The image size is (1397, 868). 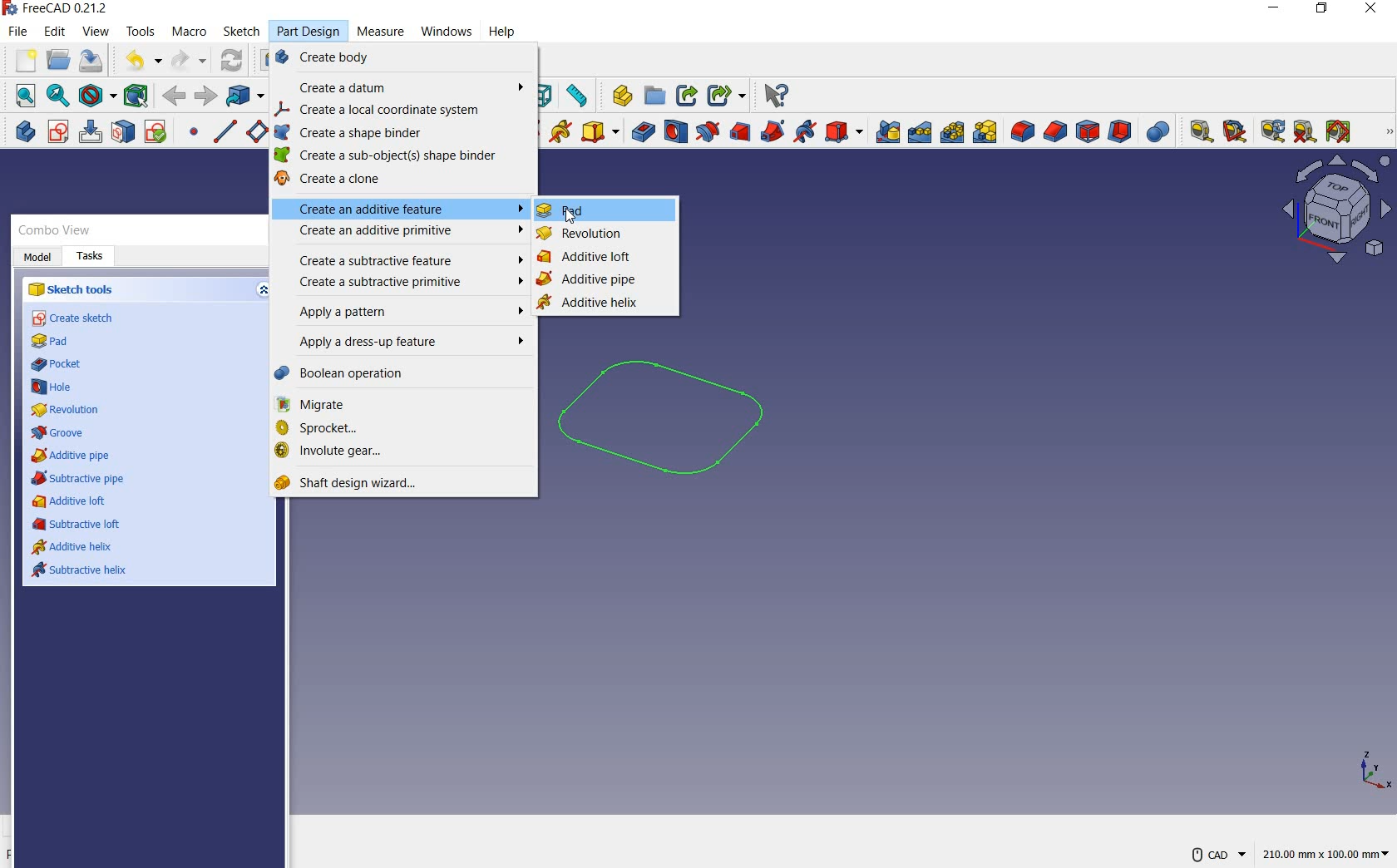 I want to click on measure angular, so click(x=1236, y=131).